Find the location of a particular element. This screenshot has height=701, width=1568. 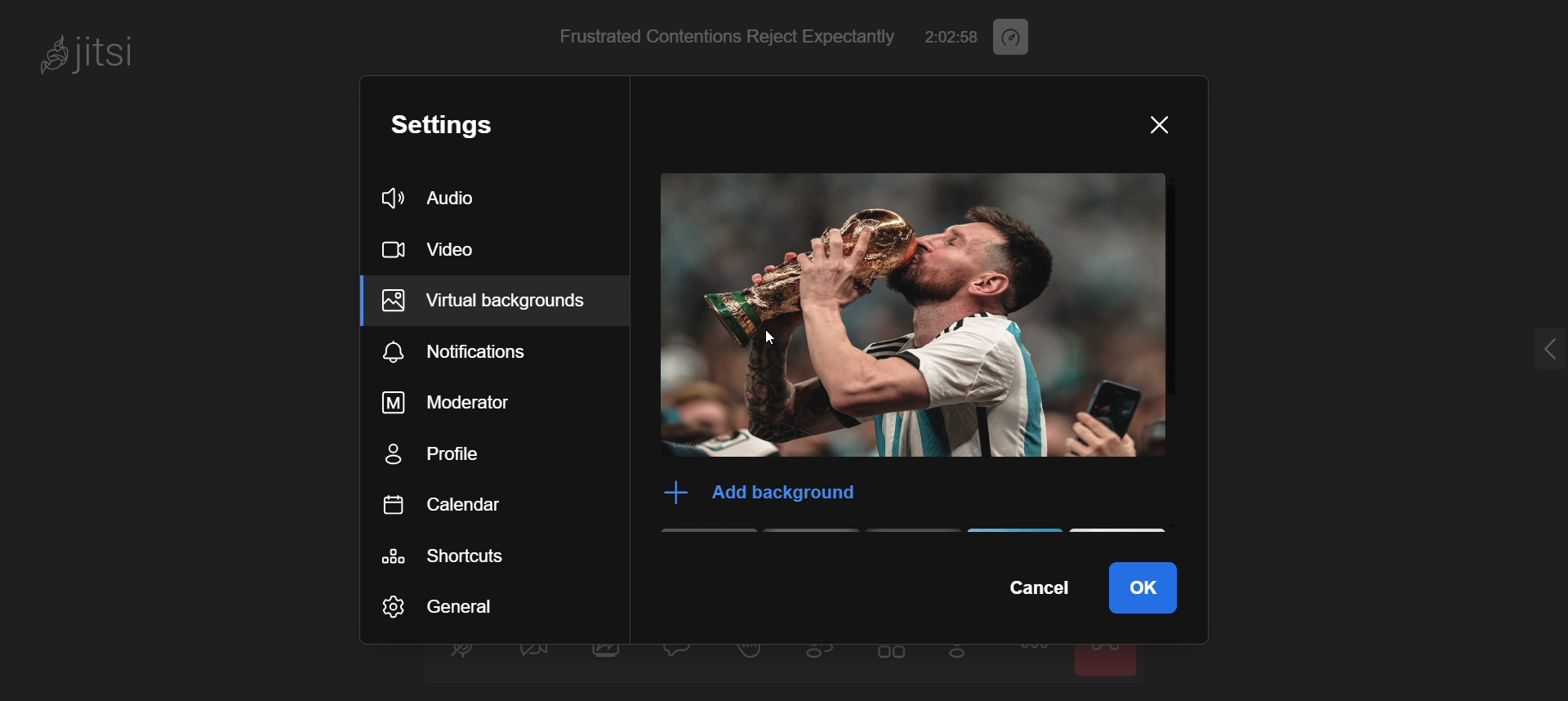

cursor is located at coordinates (772, 341).